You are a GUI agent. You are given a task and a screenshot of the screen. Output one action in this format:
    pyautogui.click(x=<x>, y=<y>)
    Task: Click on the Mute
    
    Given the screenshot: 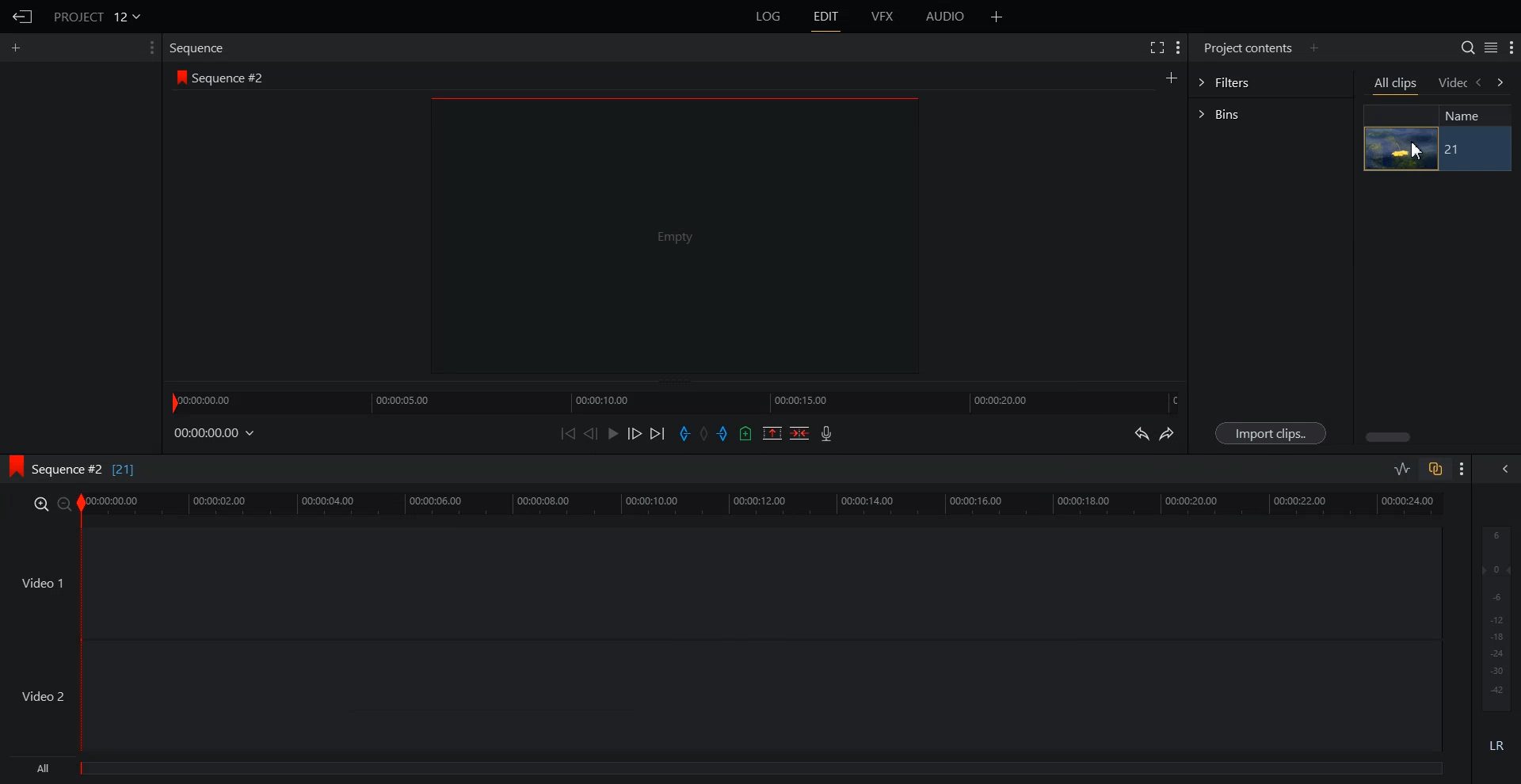 What is the action you would take?
    pyautogui.click(x=1497, y=745)
    